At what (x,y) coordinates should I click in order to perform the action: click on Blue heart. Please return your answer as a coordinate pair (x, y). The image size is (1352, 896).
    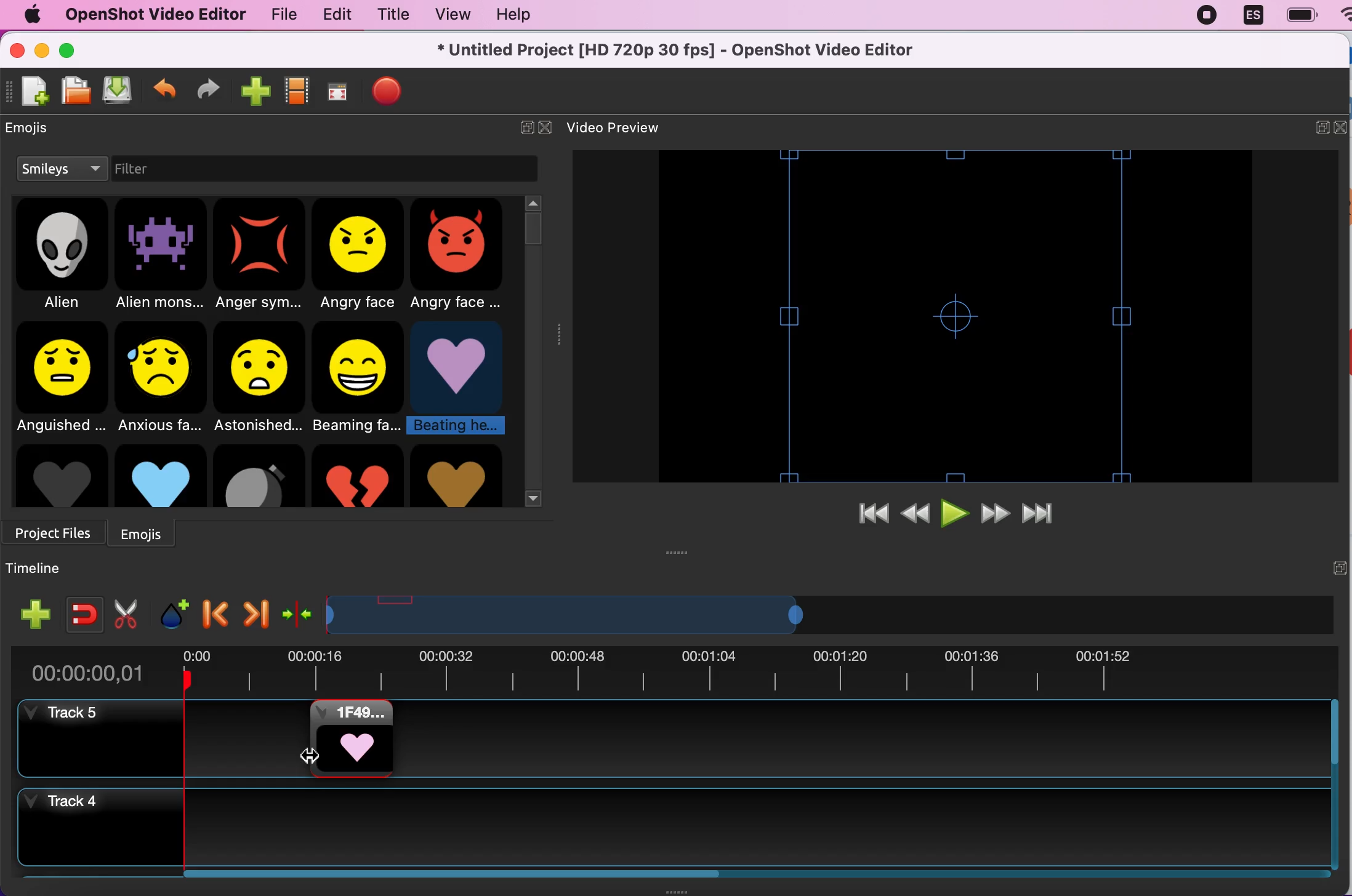
    Looking at the image, I should click on (160, 475).